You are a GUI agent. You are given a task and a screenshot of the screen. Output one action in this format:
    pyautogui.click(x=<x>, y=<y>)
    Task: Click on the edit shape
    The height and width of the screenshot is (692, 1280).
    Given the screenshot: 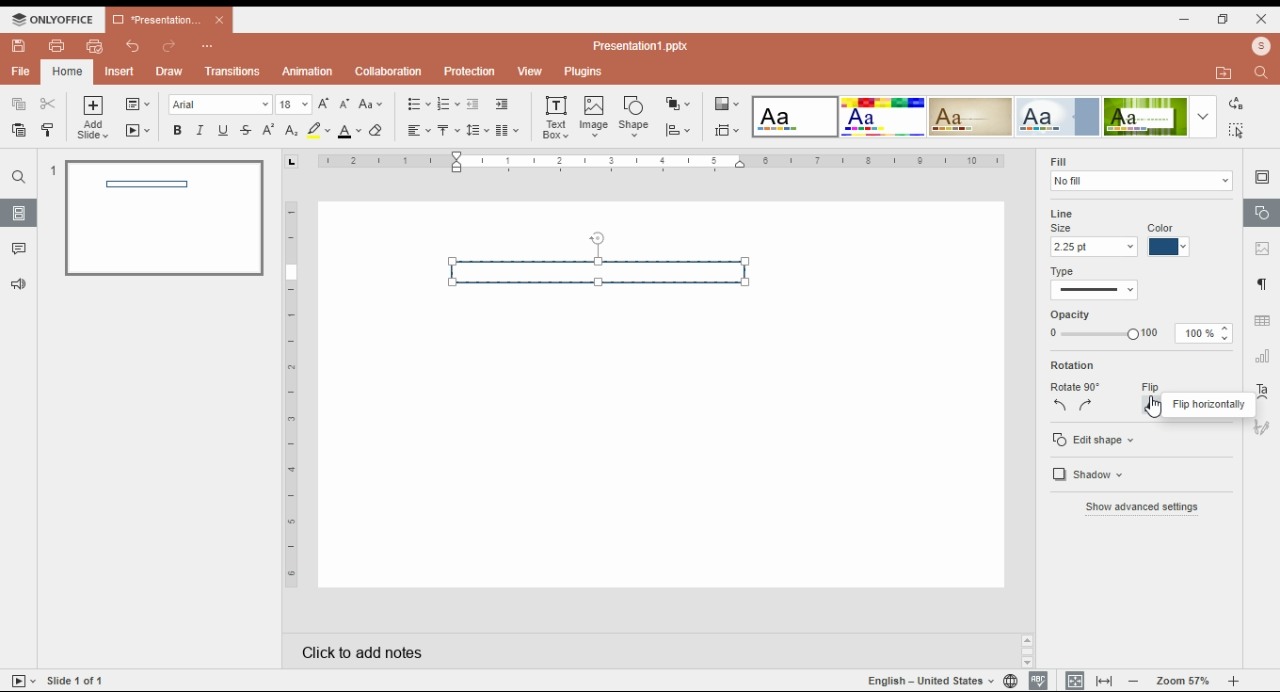 What is the action you would take?
    pyautogui.click(x=1092, y=438)
    